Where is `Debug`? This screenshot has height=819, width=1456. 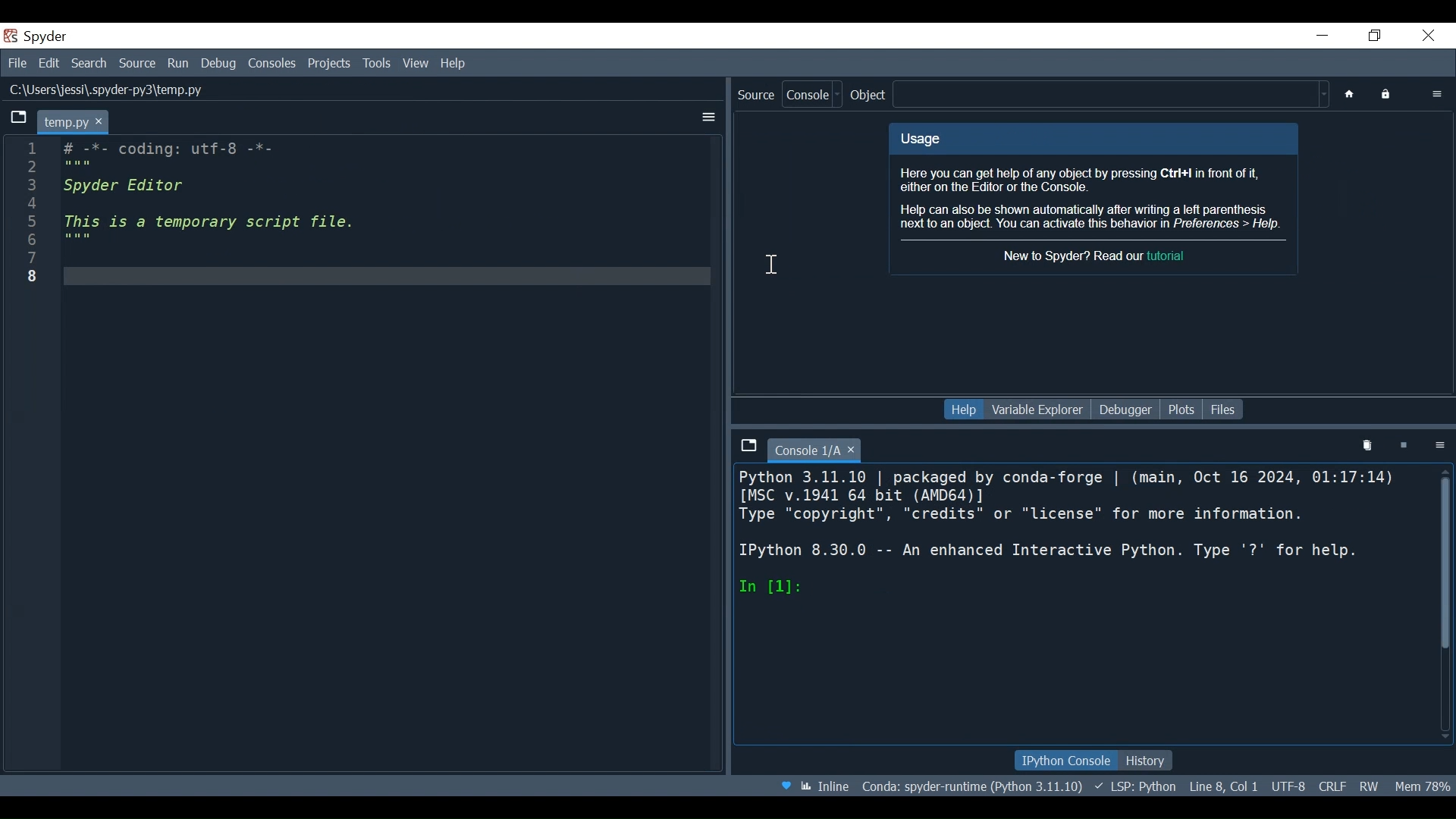
Debug is located at coordinates (219, 64).